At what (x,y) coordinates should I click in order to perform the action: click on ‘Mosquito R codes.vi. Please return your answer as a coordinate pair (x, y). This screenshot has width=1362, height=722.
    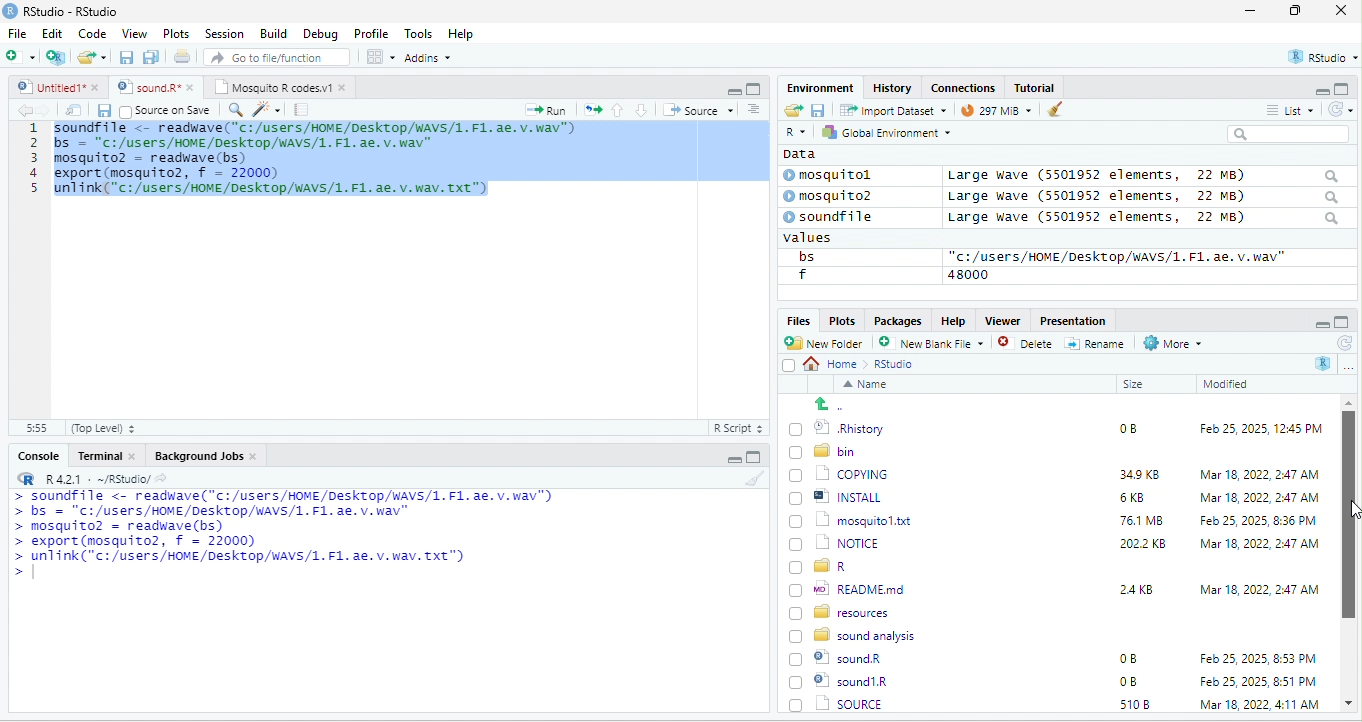
    Looking at the image, I should click on (150, 87).